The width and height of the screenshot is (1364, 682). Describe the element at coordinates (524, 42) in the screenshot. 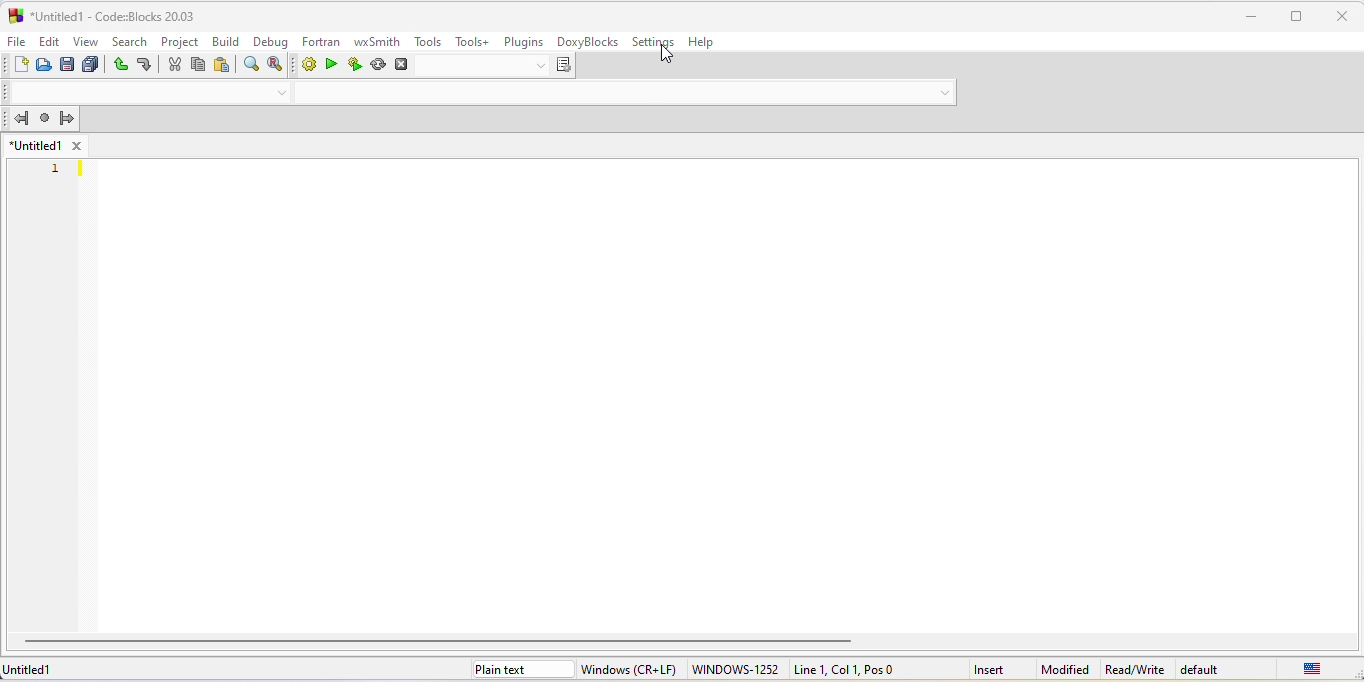

I see `plugins` at that location.